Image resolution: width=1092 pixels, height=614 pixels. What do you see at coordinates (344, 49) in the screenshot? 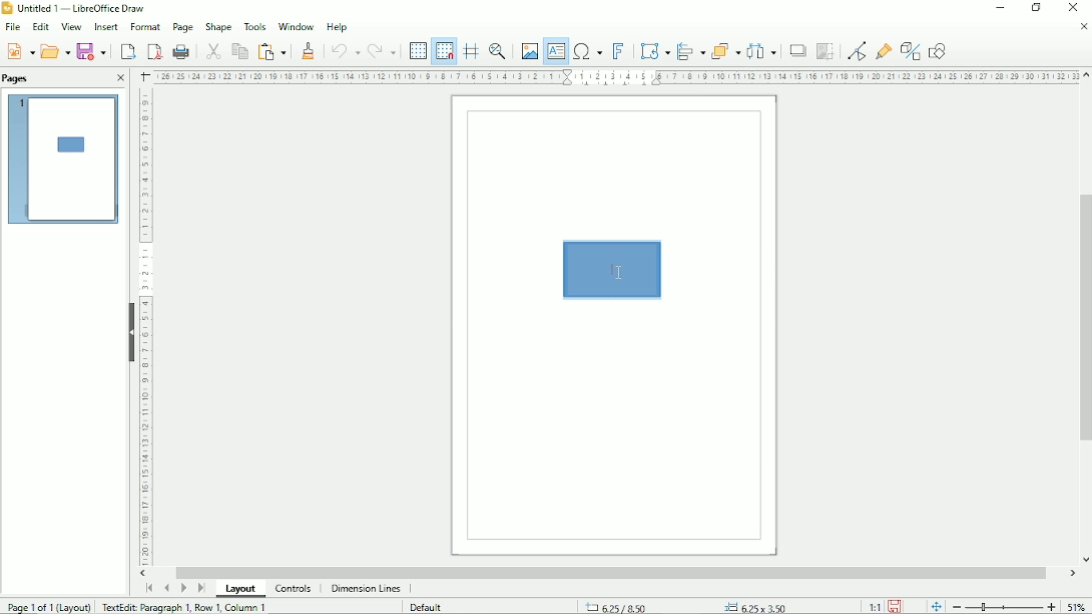
I see `Undo` at bounding box center [344, 49].